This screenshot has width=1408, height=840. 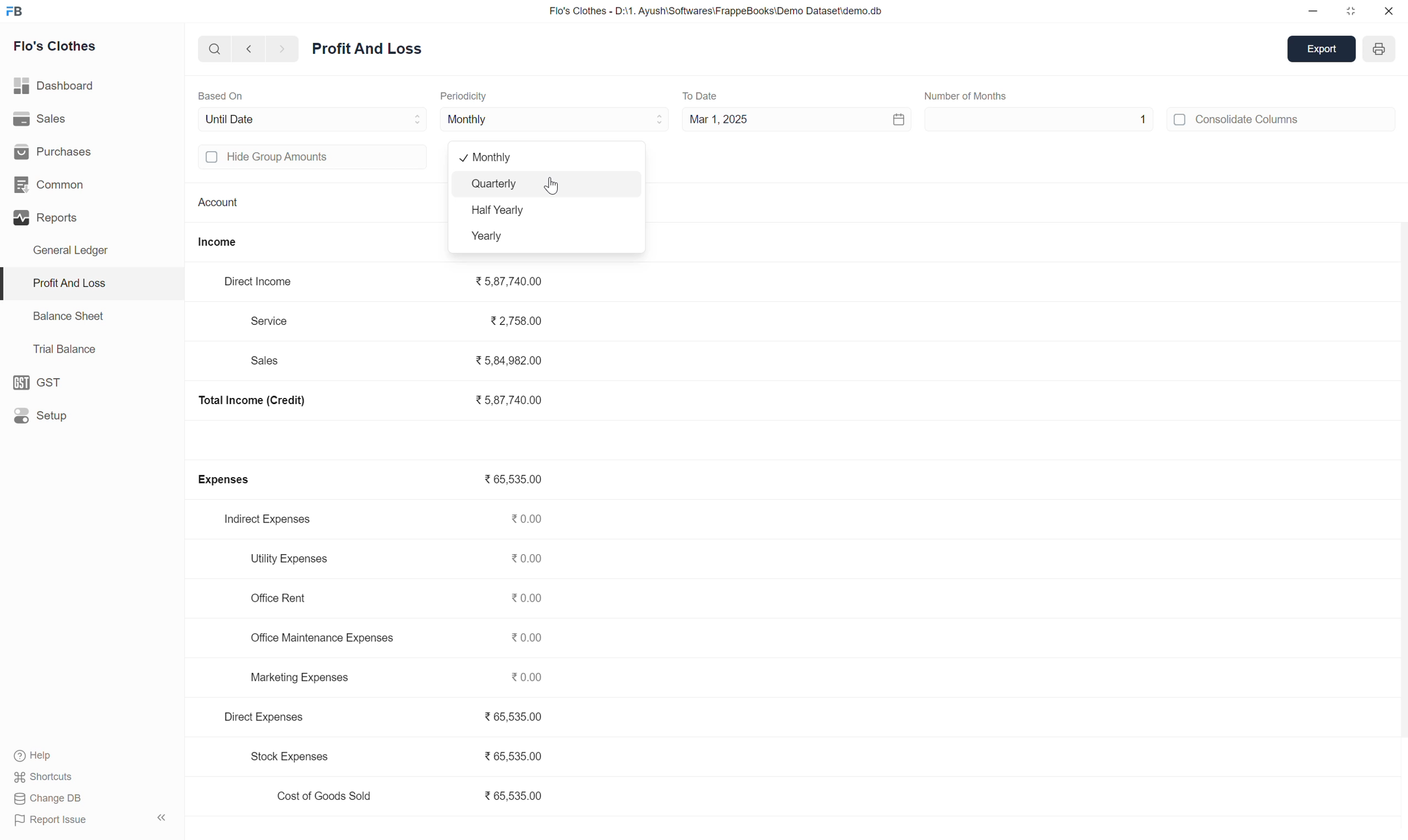 What do you see at coordinates (248, 50) in the screenshot?
I see `back` at bounding box center [248, 50].